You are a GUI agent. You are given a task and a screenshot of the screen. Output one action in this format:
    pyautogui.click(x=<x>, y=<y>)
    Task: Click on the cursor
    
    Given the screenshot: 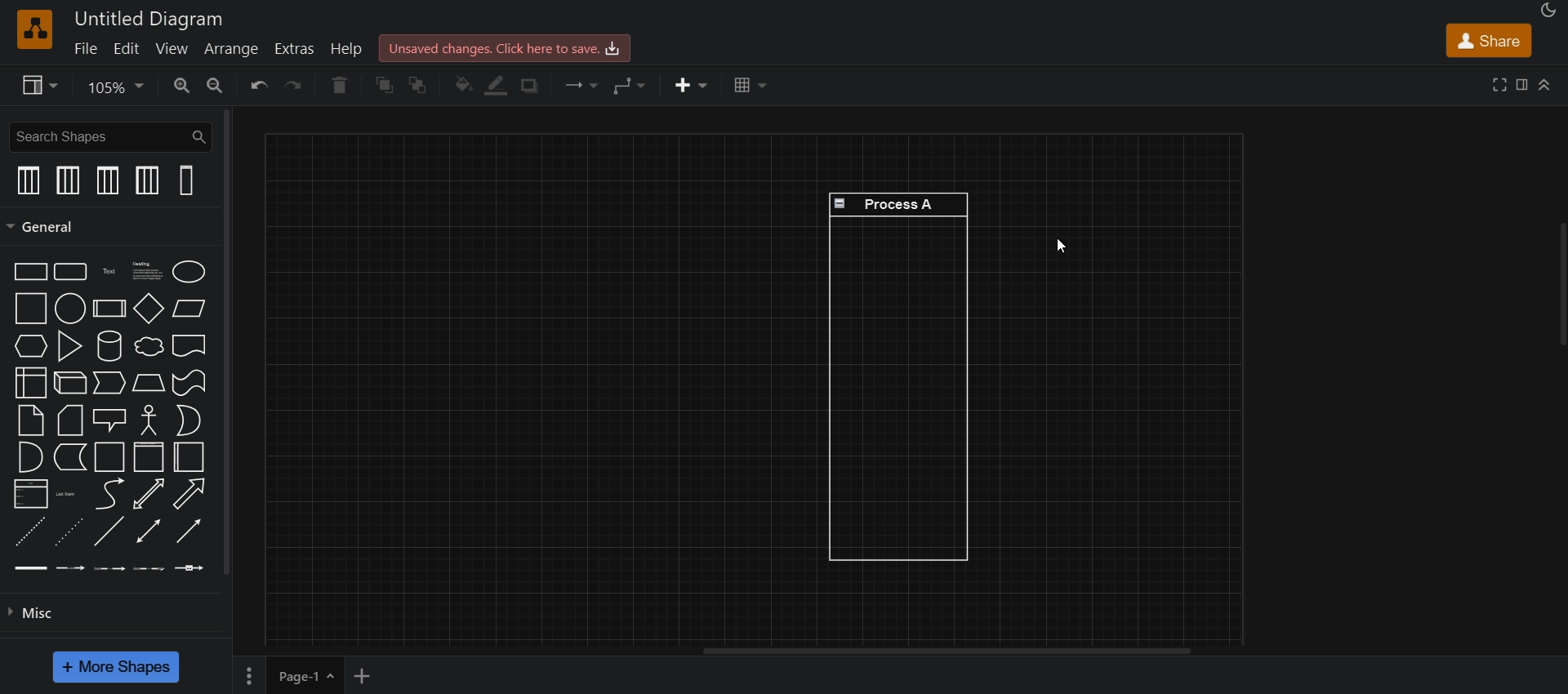 What is the action you would take?
    pyautogui.click(x=1066, y=247)
    